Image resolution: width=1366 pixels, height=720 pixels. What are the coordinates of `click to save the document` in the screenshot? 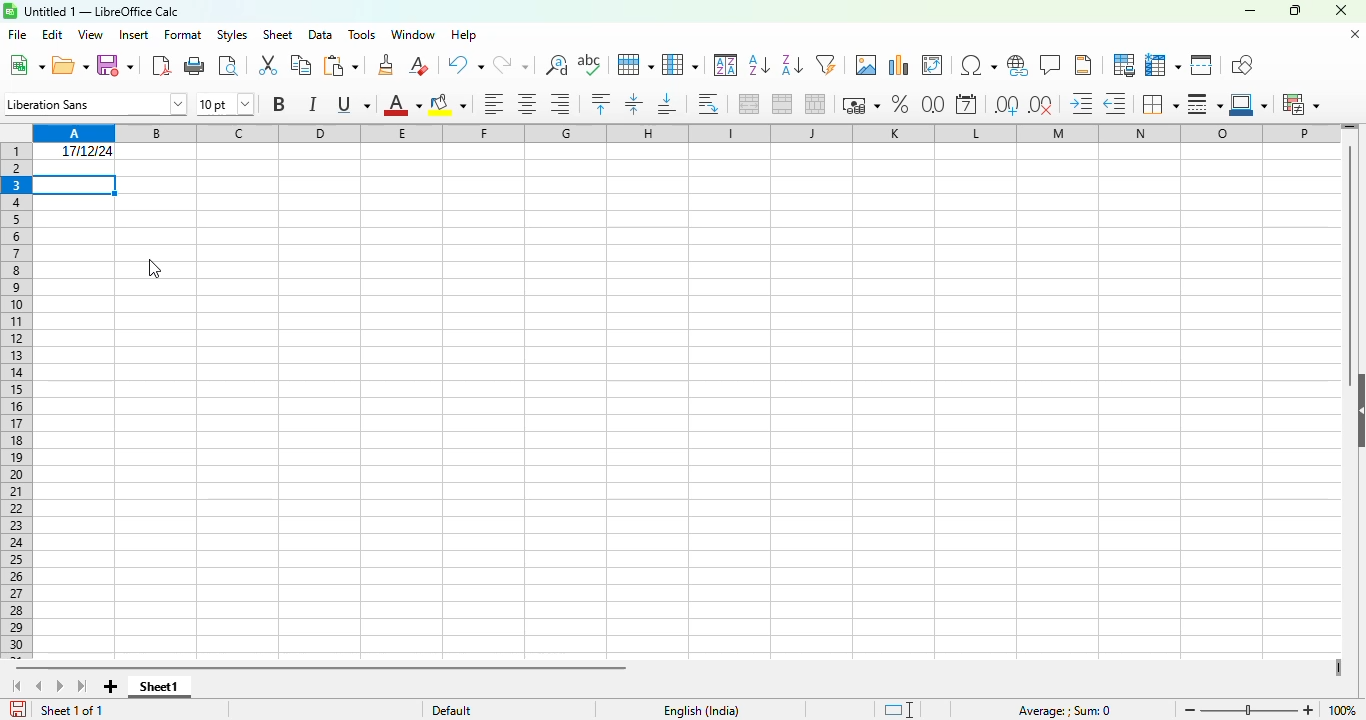 It's located at (18, 710).